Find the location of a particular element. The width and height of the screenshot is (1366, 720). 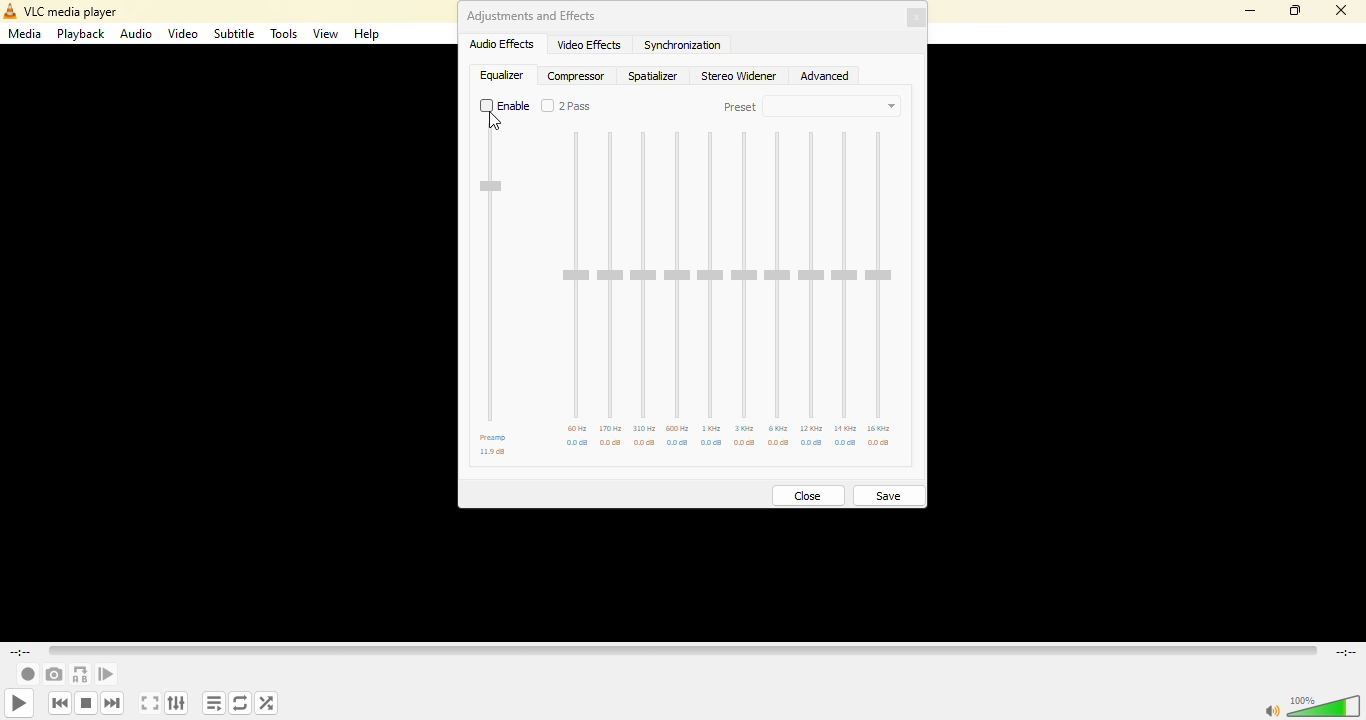

db is located at coordinates (846, 443).